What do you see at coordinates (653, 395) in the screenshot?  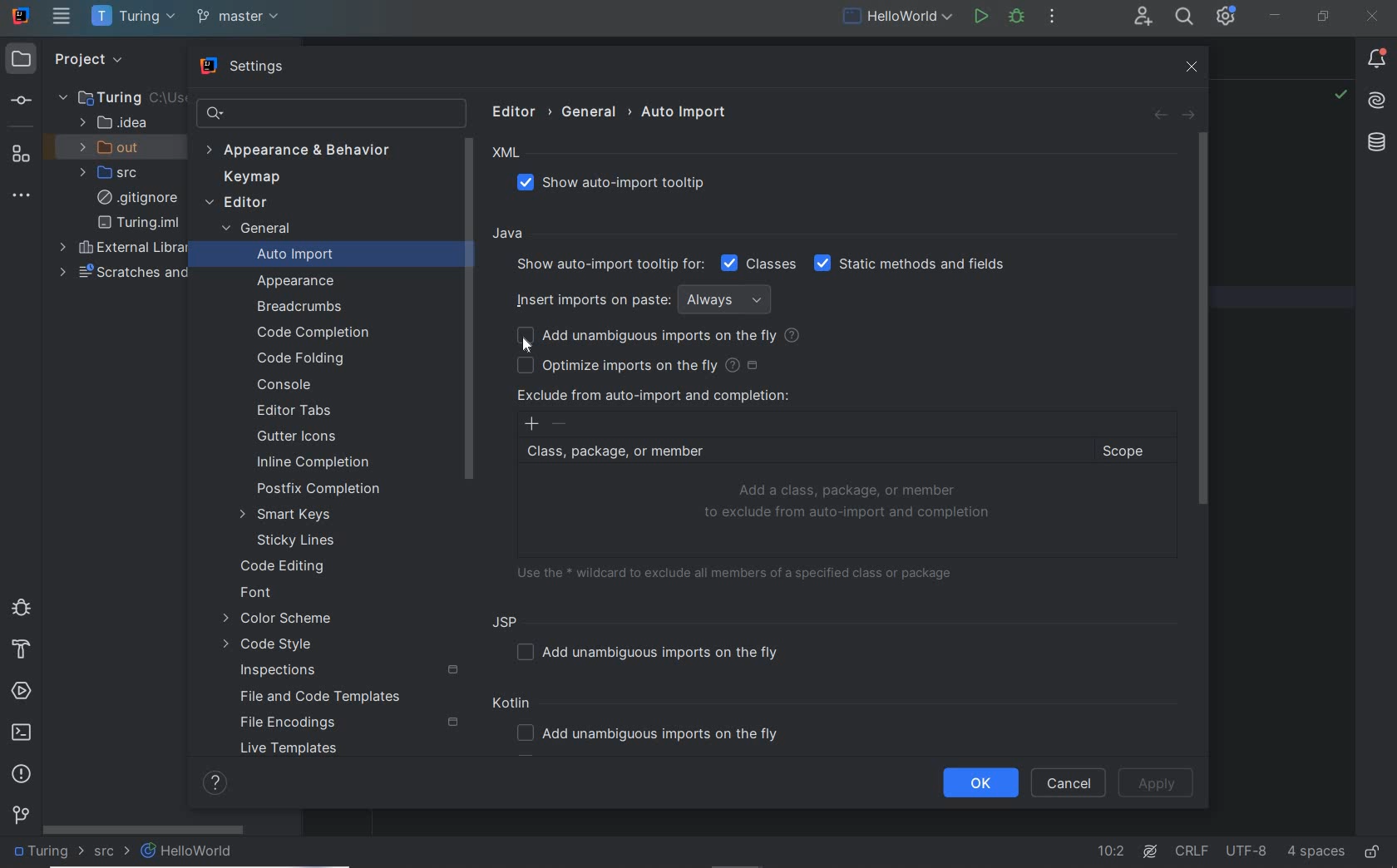 I see `EXCLUDE FROM AUTO-IMPORT AND COMPLETION` at bounding box center [653, 395].